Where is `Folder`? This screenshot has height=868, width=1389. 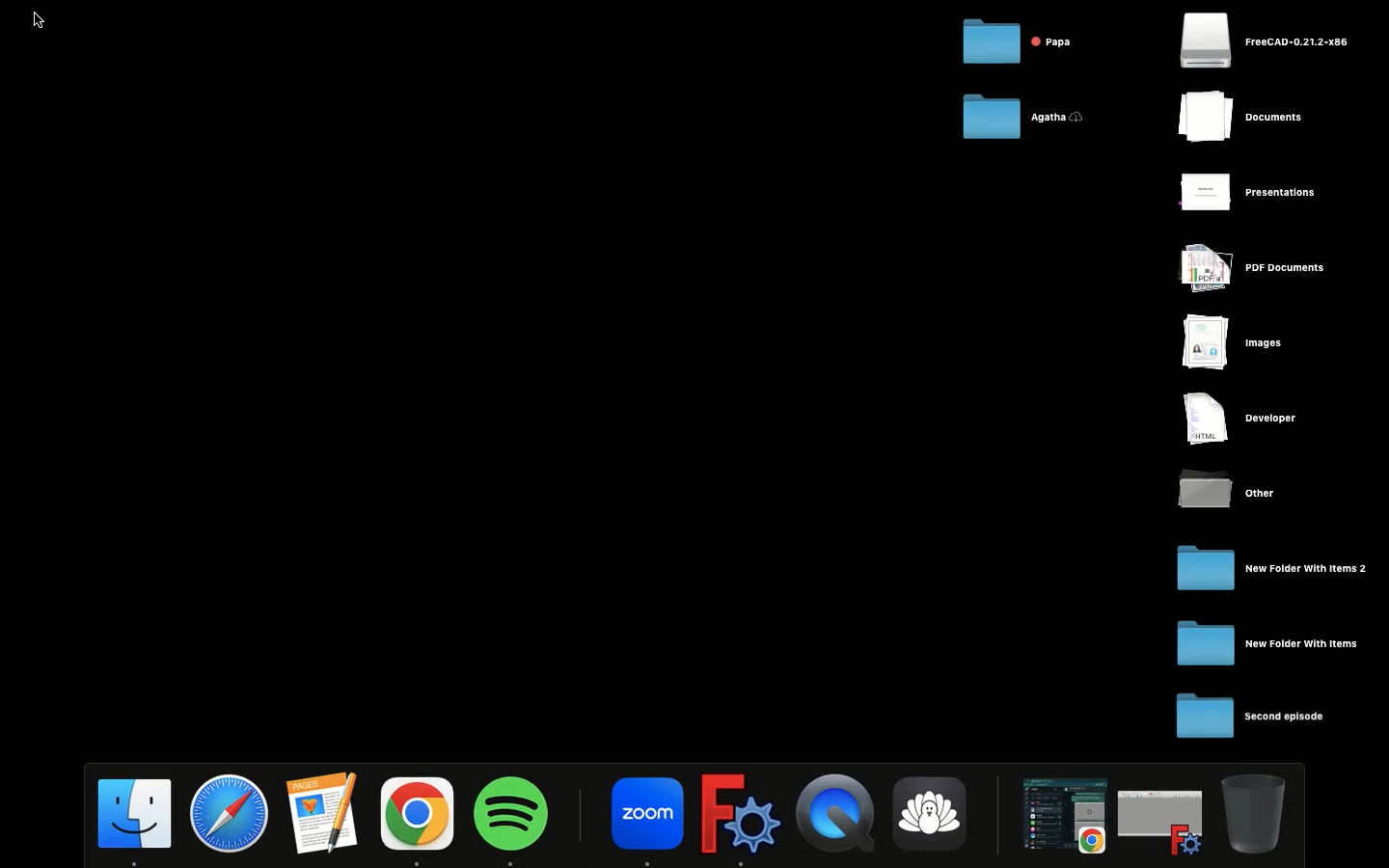
Folder is located at coordinates (1252, 718).